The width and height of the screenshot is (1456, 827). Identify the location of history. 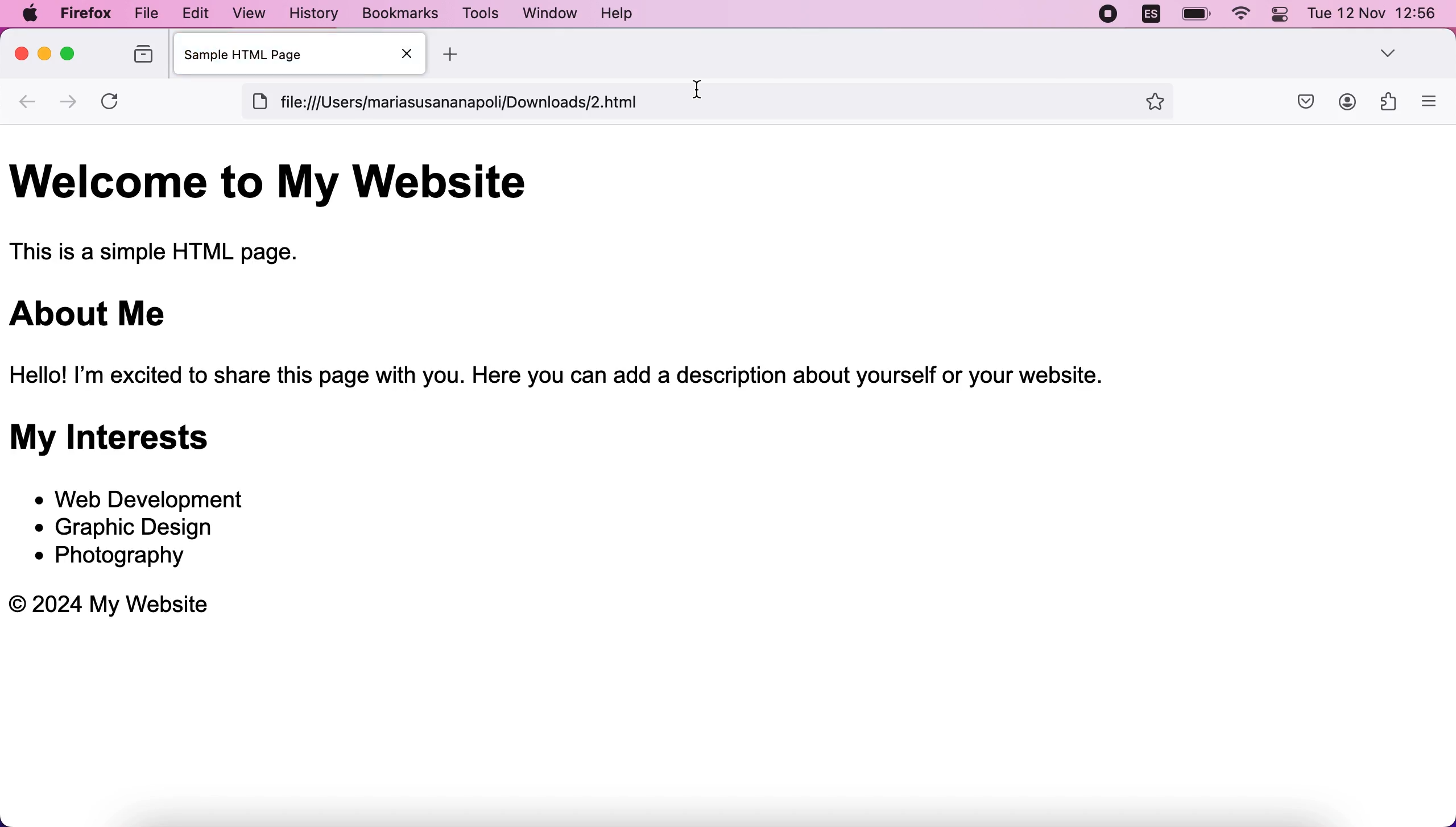
(312, 14).